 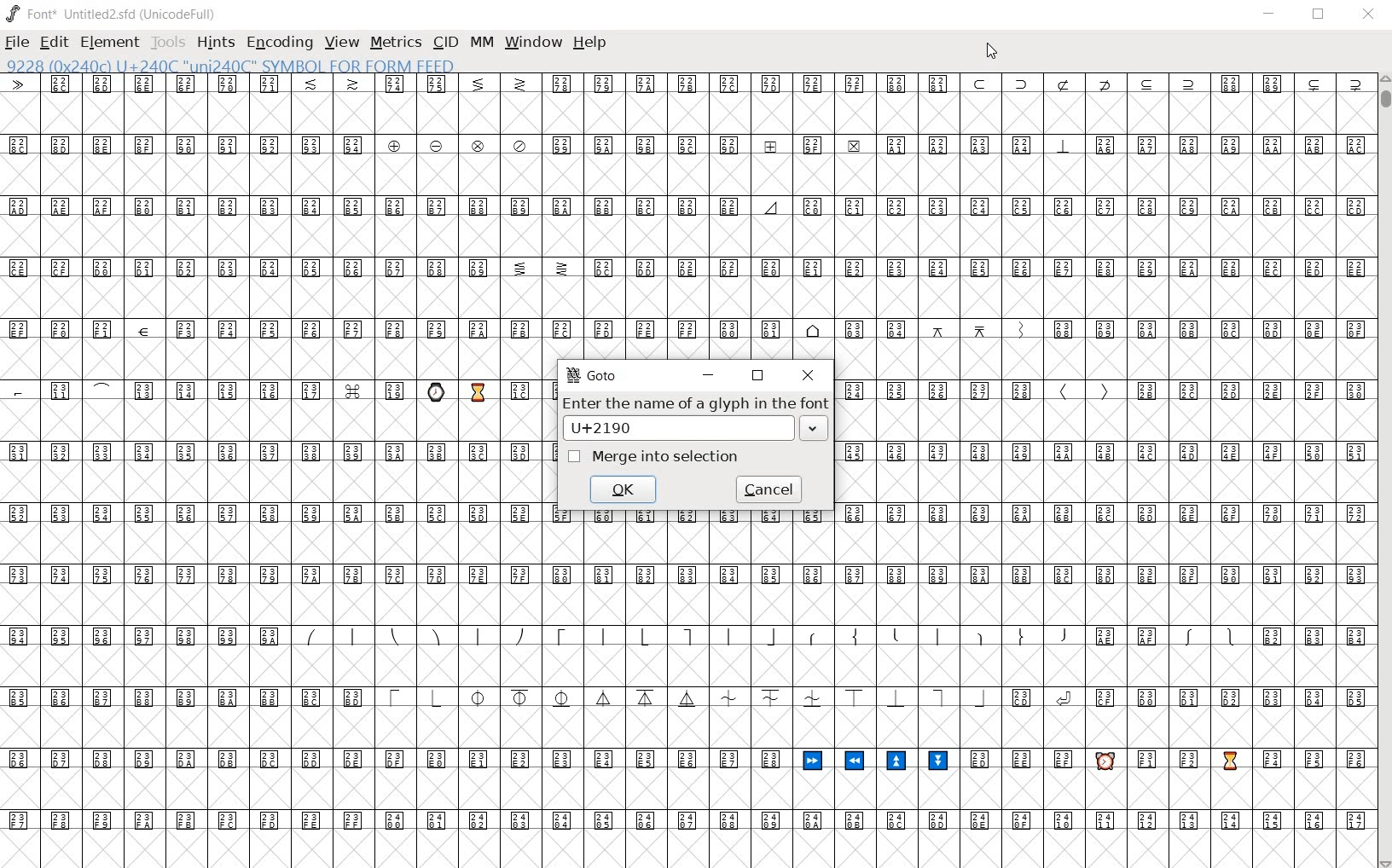 I want to click on glyphs characters, so click(x=1104, y=411).